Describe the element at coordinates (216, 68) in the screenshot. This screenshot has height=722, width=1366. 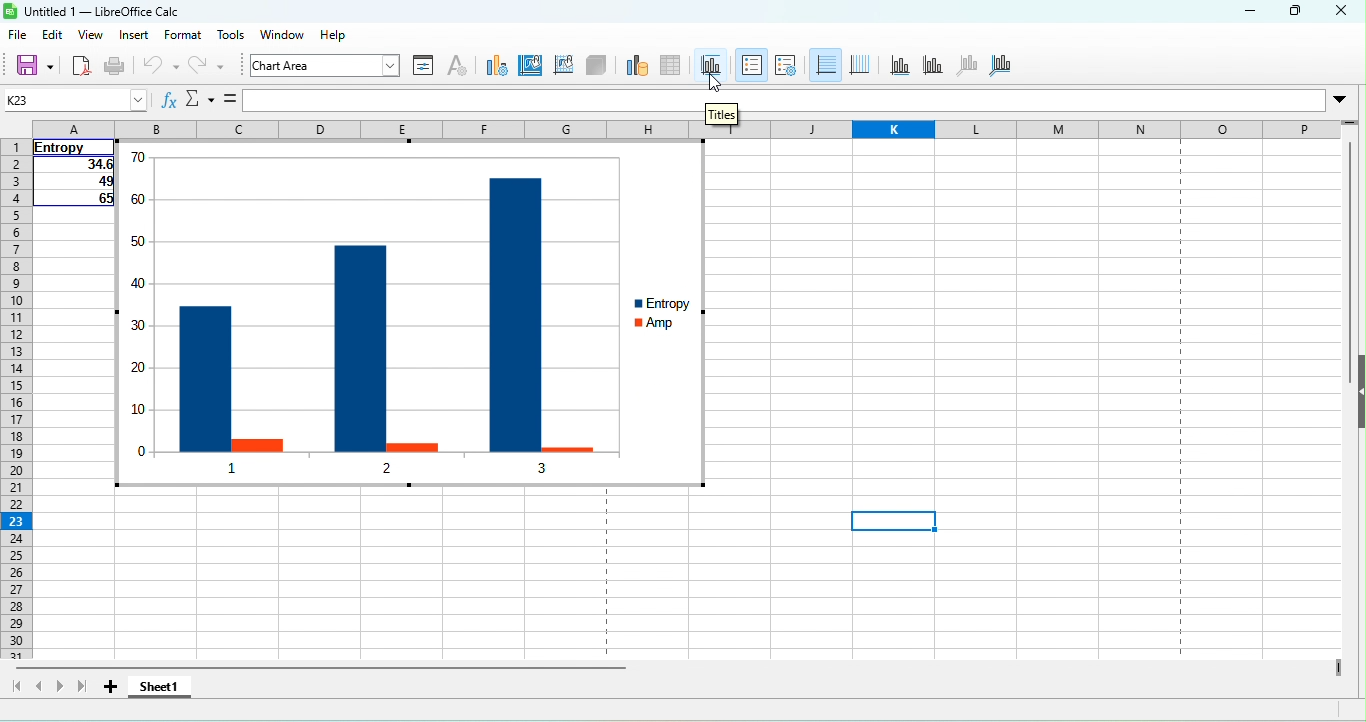
I see `redo` at that location.